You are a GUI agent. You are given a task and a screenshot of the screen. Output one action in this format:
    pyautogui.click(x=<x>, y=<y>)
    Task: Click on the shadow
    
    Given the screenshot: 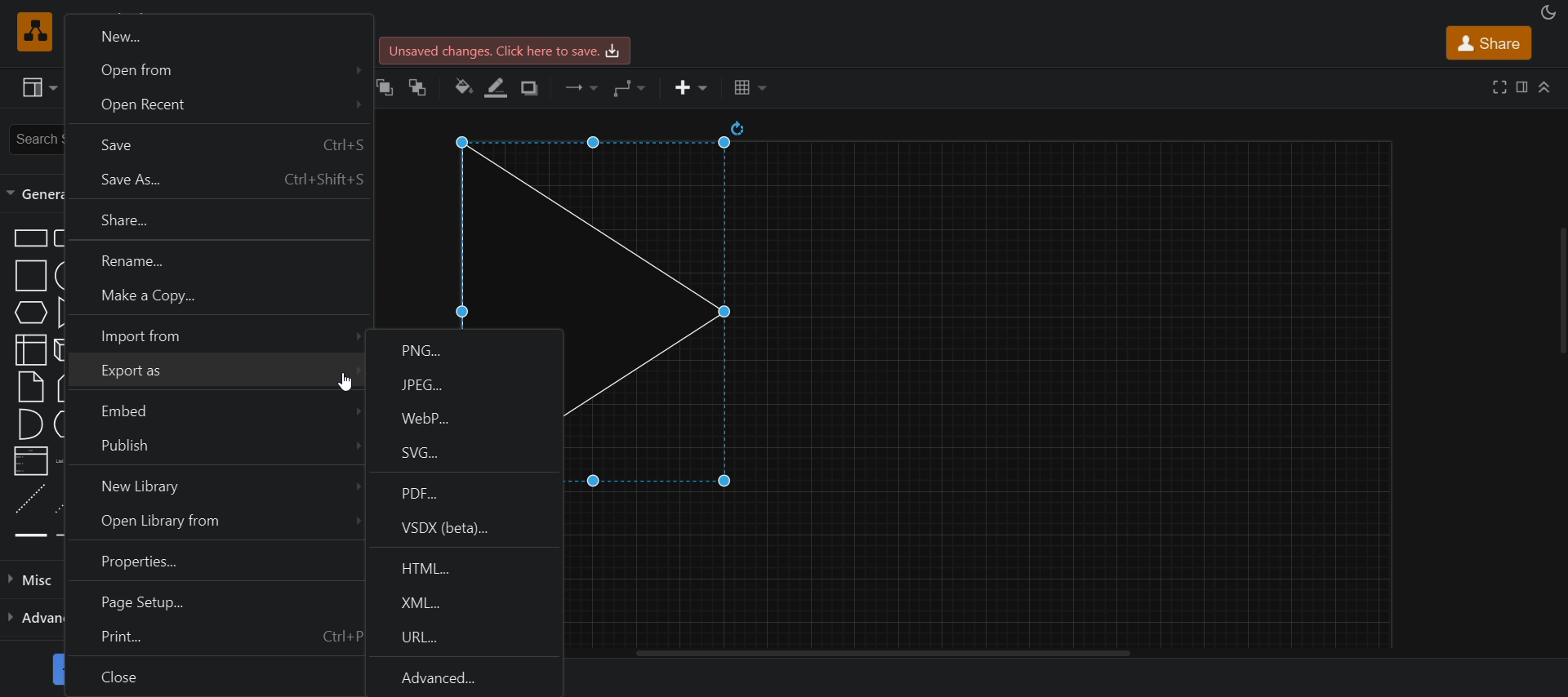 What is the action you would take?
    pyautogui.click(x=532, y=89)
    